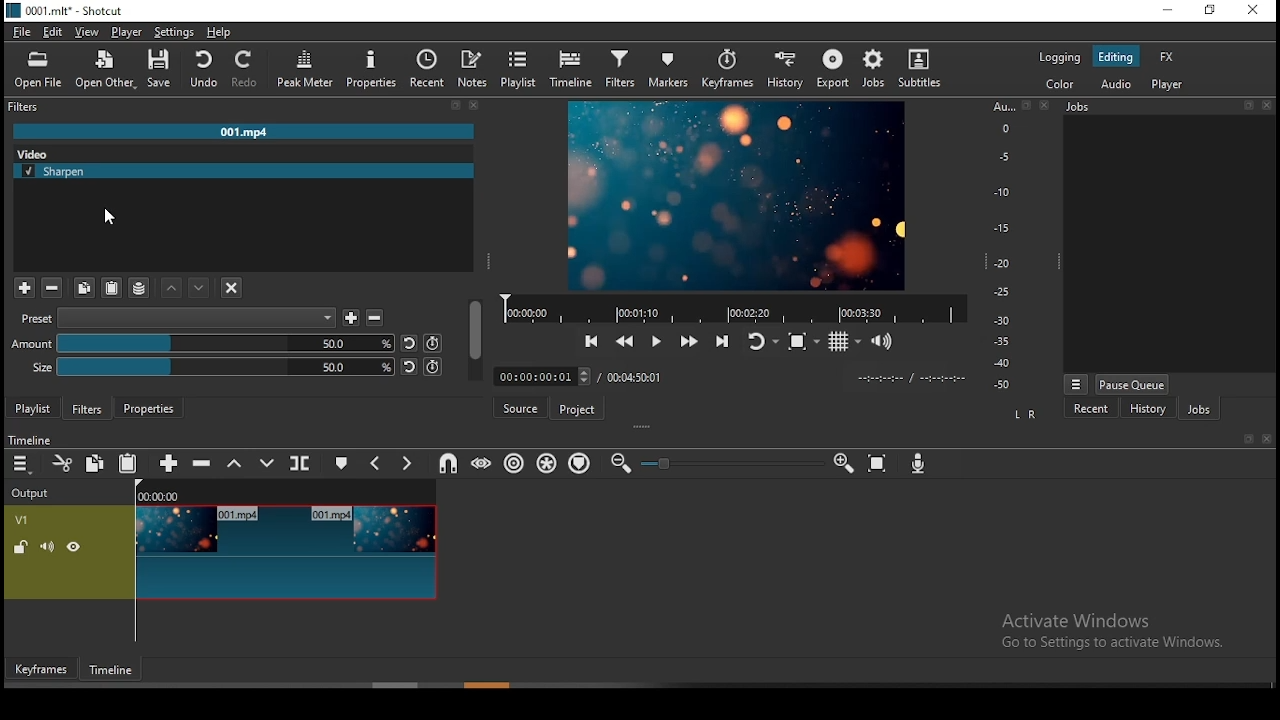 The width and height of the screenshot is (1280, 720). I want to click on editing, so click(1115, 55).